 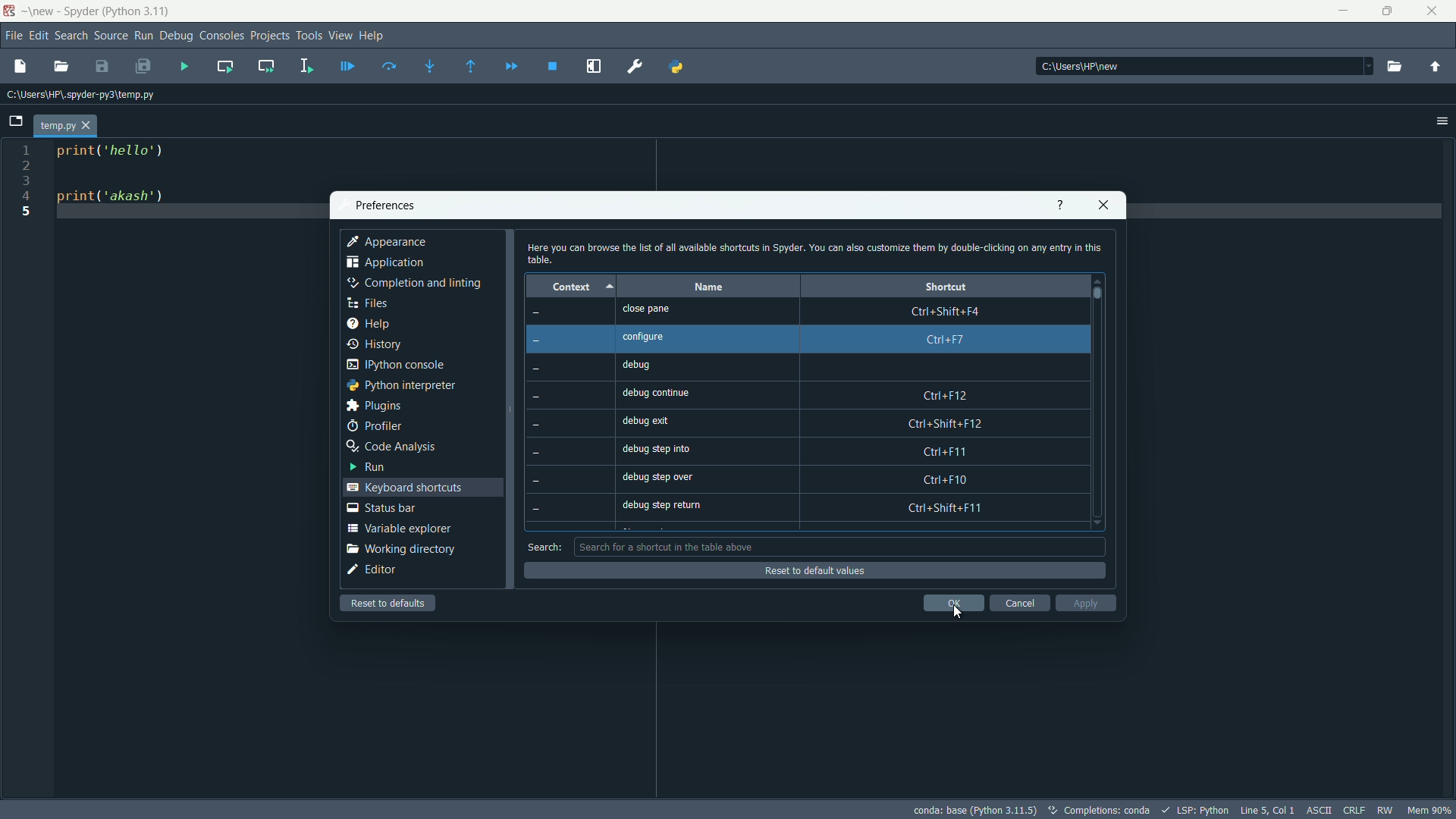 What do you see at coordinates (1075, 66) in the screenshot?
I see `N C:\Users\HP\new` at bounding box center [1075, 66].